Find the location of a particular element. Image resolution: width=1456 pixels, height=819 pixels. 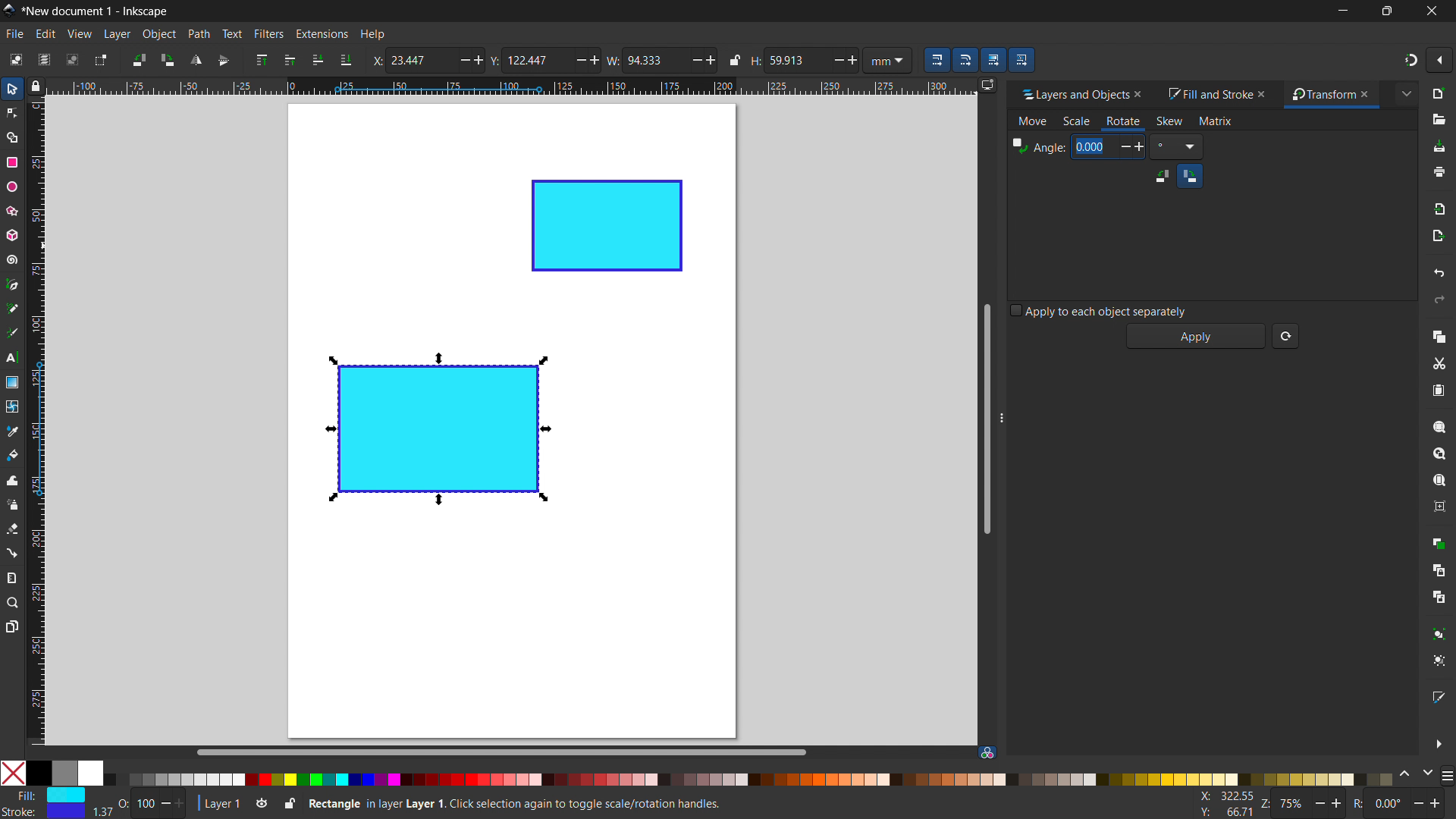

pages tool is located at coordinates (13, 626).